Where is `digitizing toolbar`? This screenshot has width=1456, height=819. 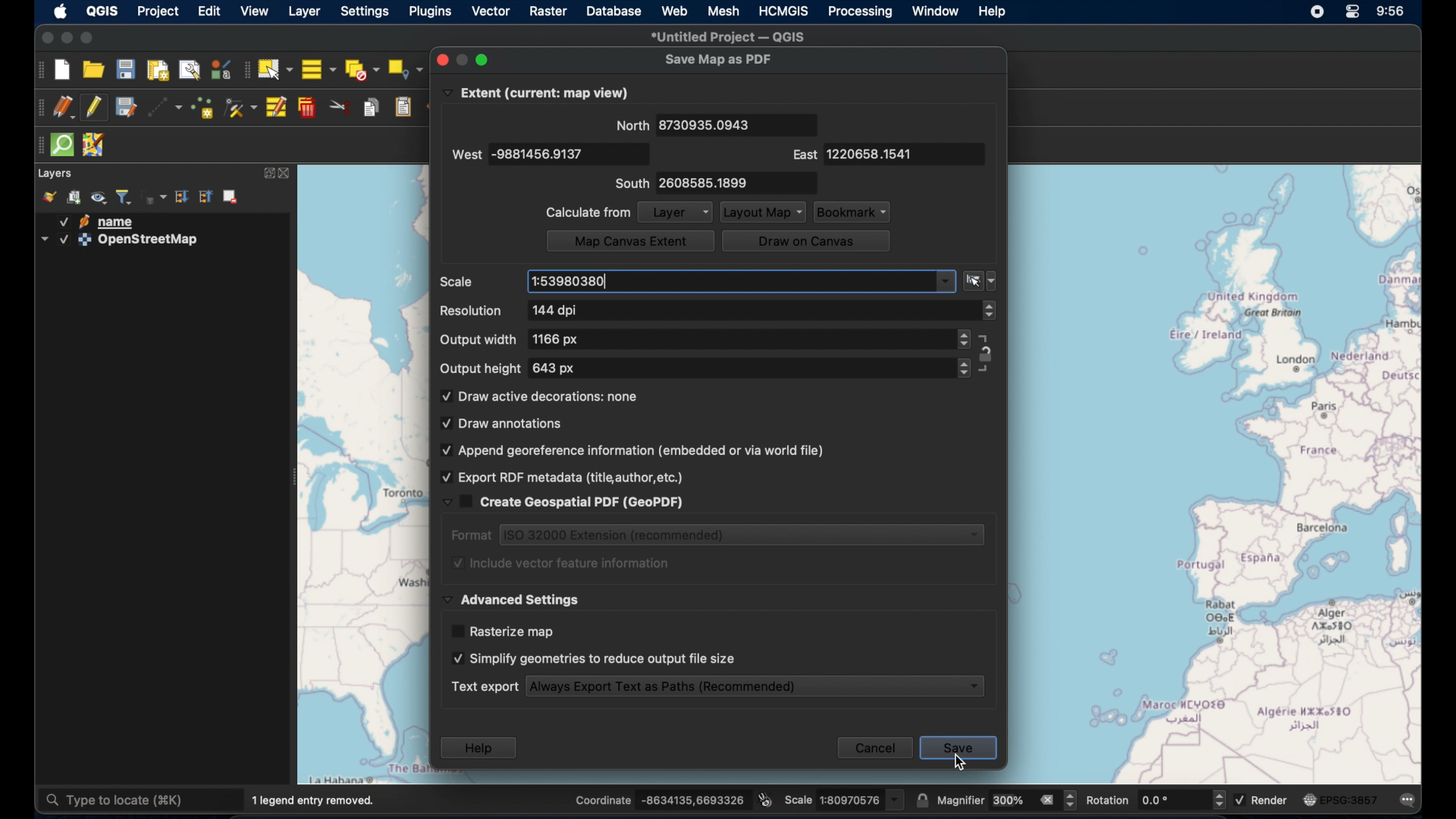
digitizing toolbar is located at coordinates (39, 110).